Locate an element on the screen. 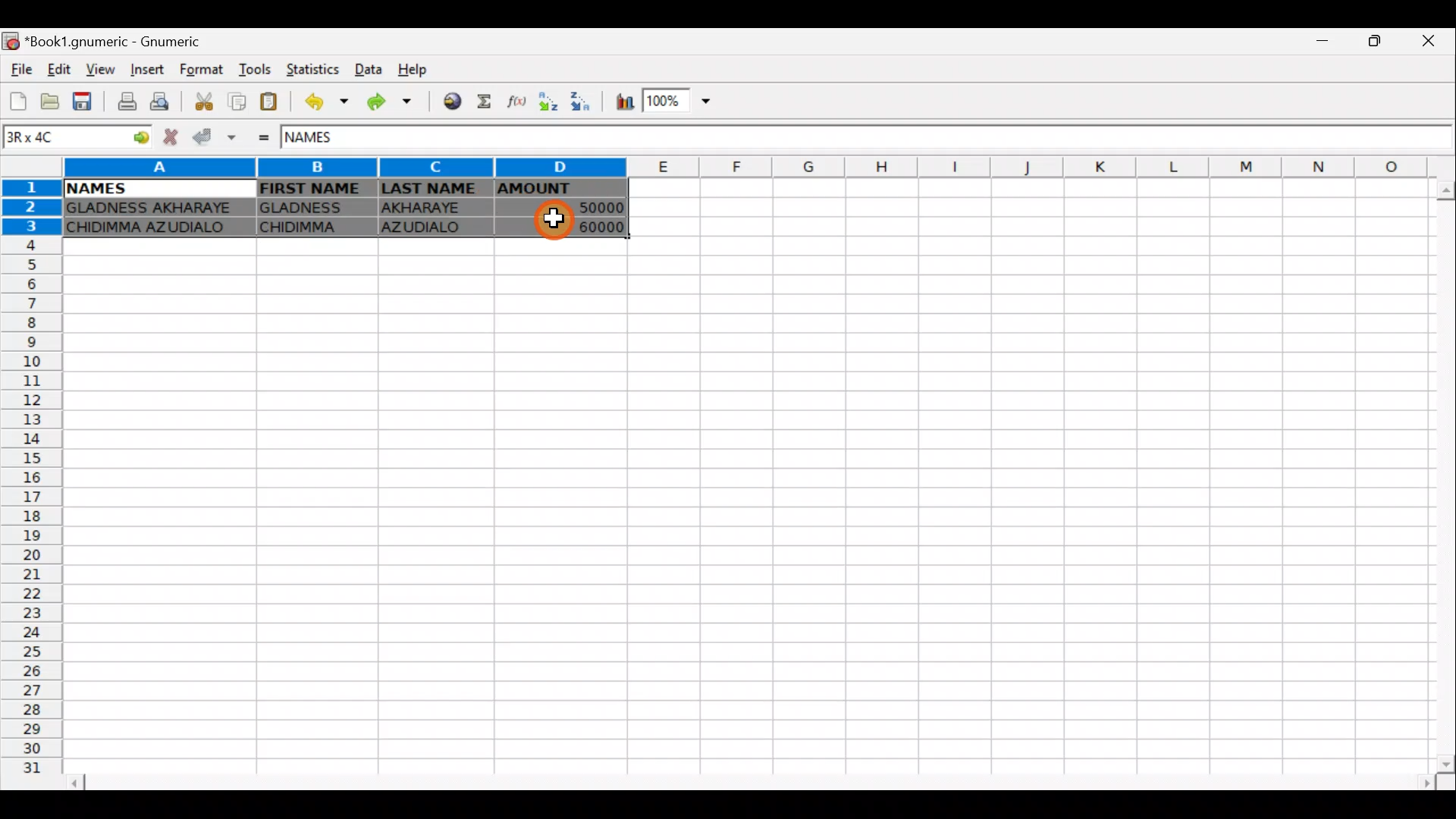 The width and height of the screenshot is (1456, 819). Edit a function in the current cell is located at coordinates (514, 102).